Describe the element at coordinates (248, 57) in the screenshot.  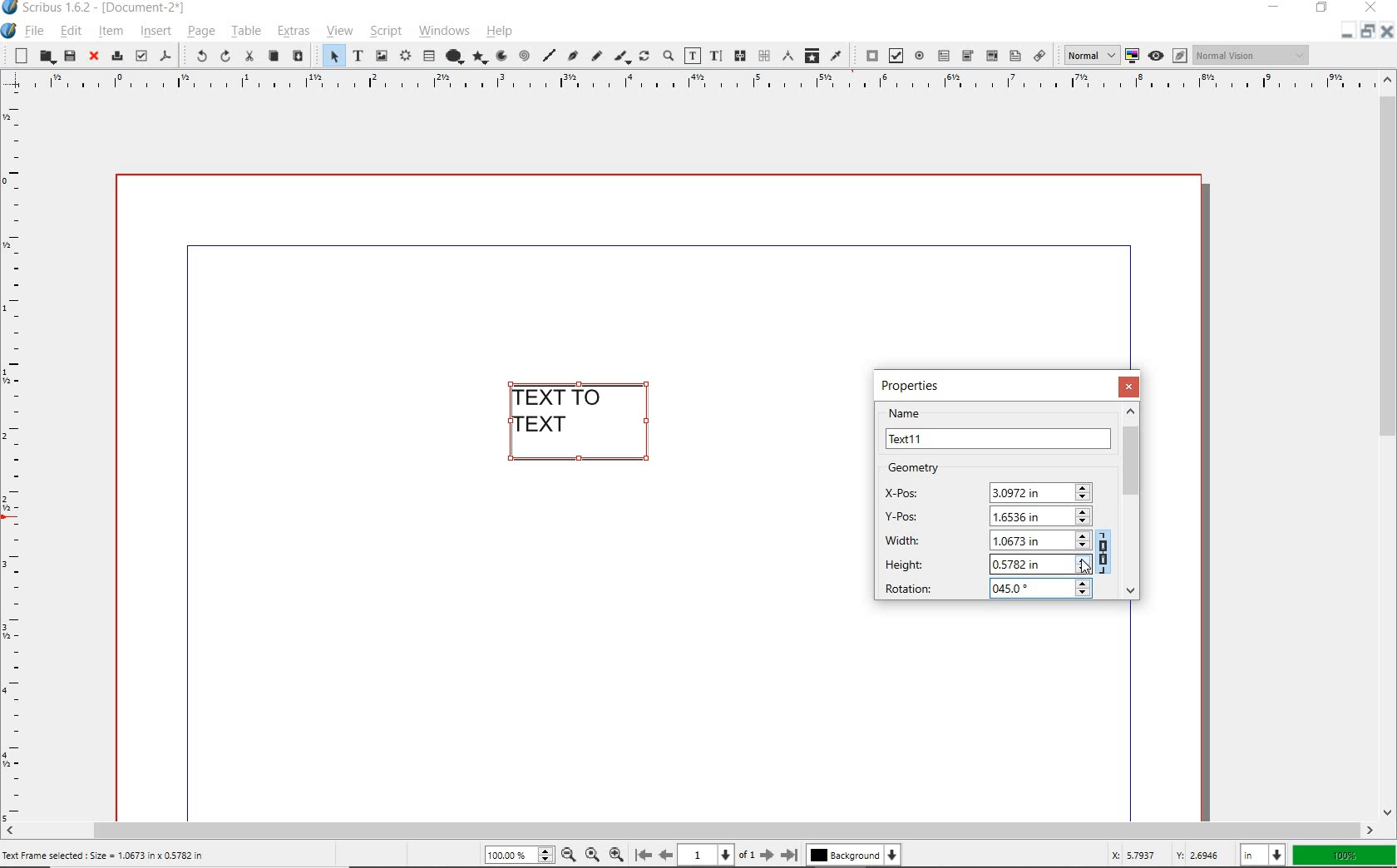
I see `cut` at that location.